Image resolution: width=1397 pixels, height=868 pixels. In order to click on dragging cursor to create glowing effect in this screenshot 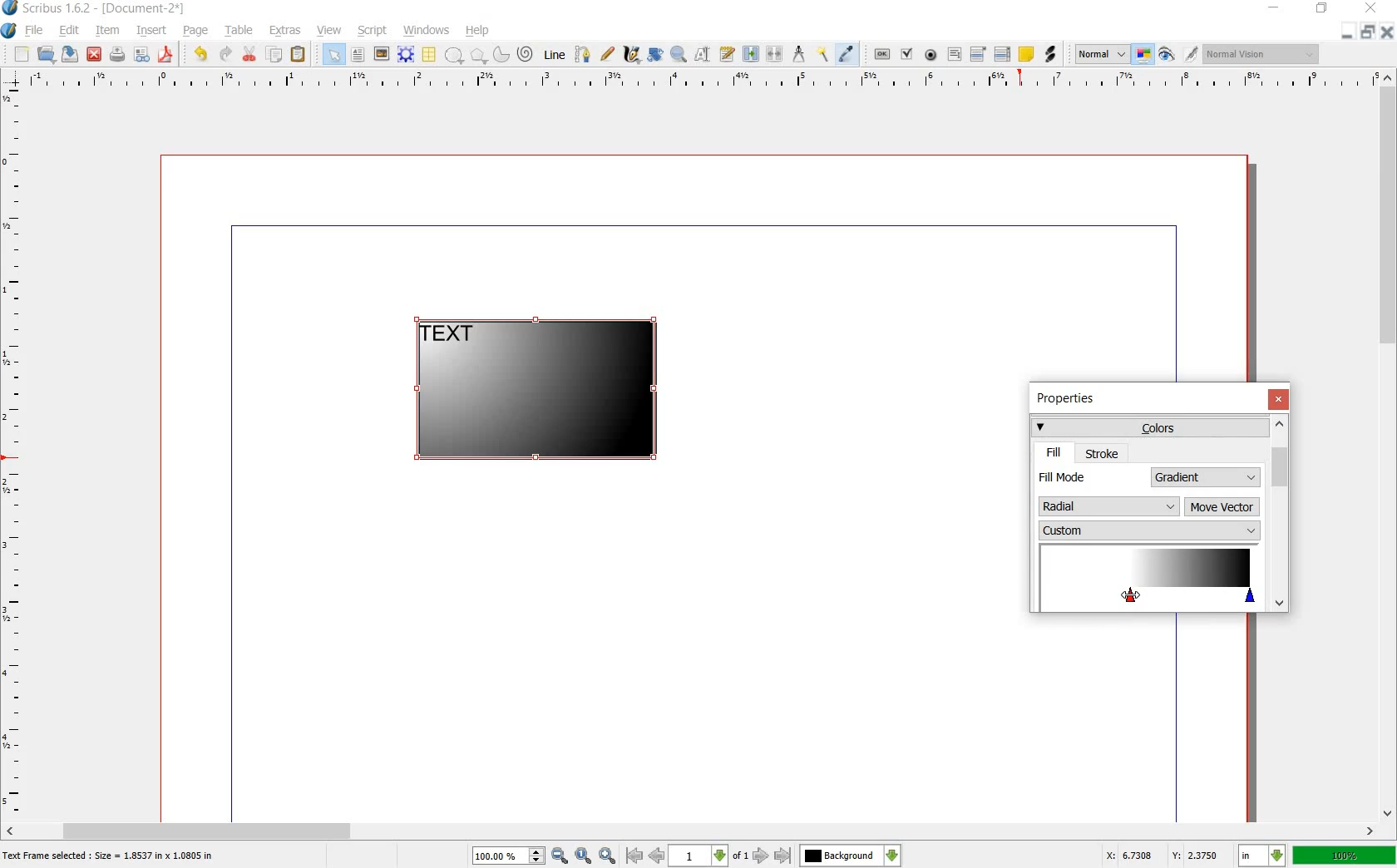, I will do `click(1133, 595)`.